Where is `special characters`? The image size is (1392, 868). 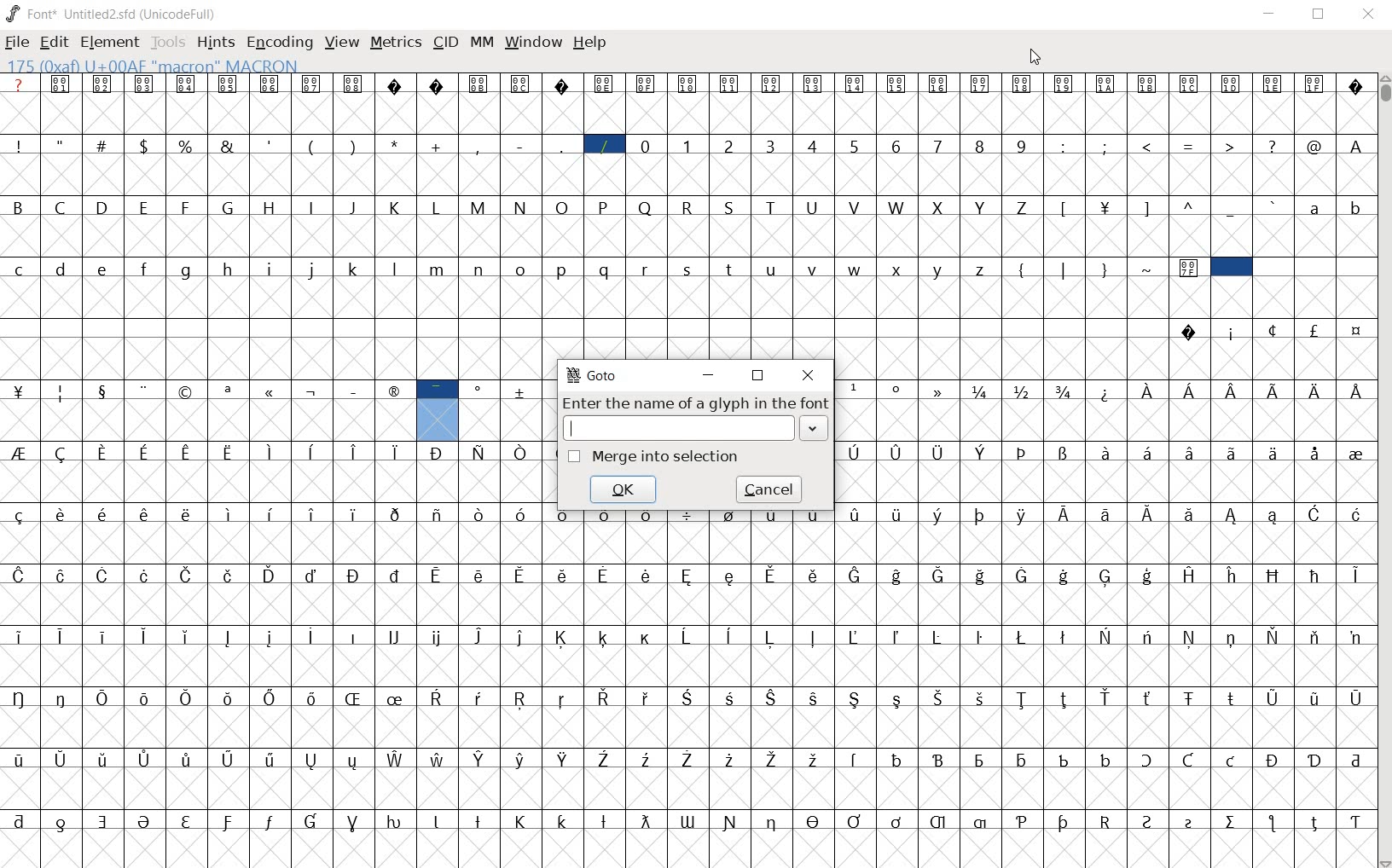
special characters is located at coordinates (686, 841).